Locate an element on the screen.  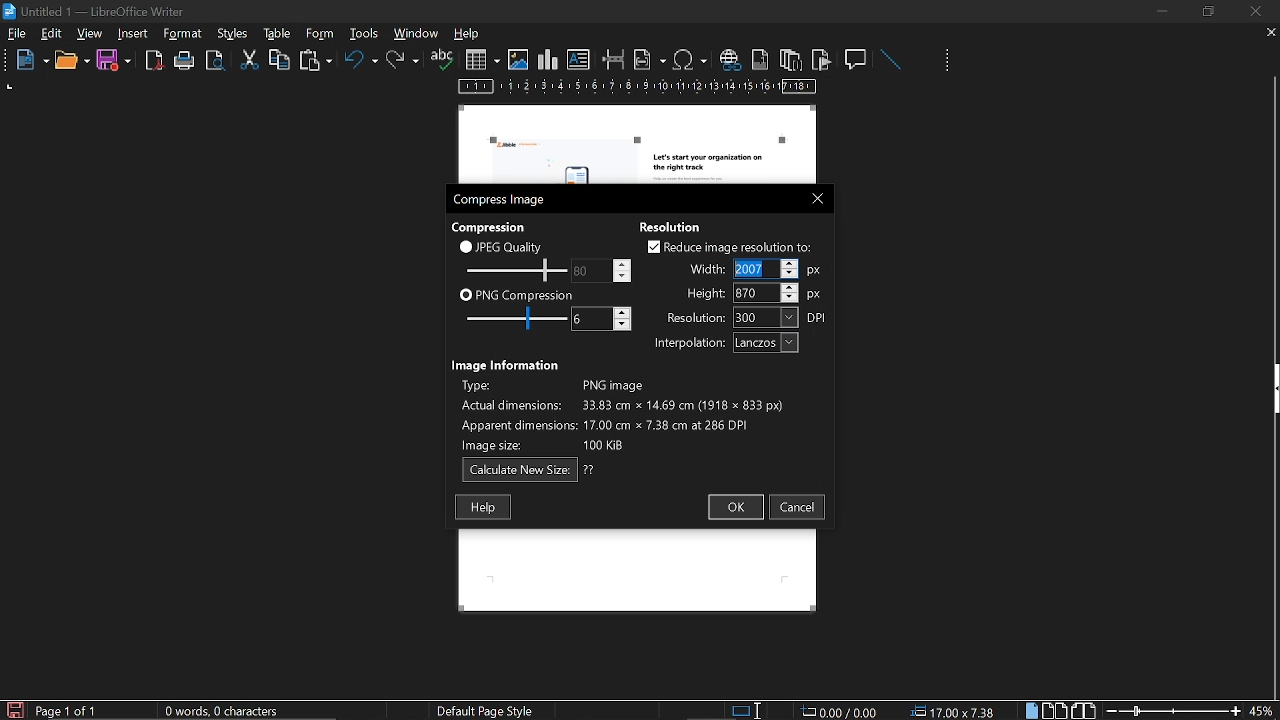
current window is located at coordinates (97, 10).